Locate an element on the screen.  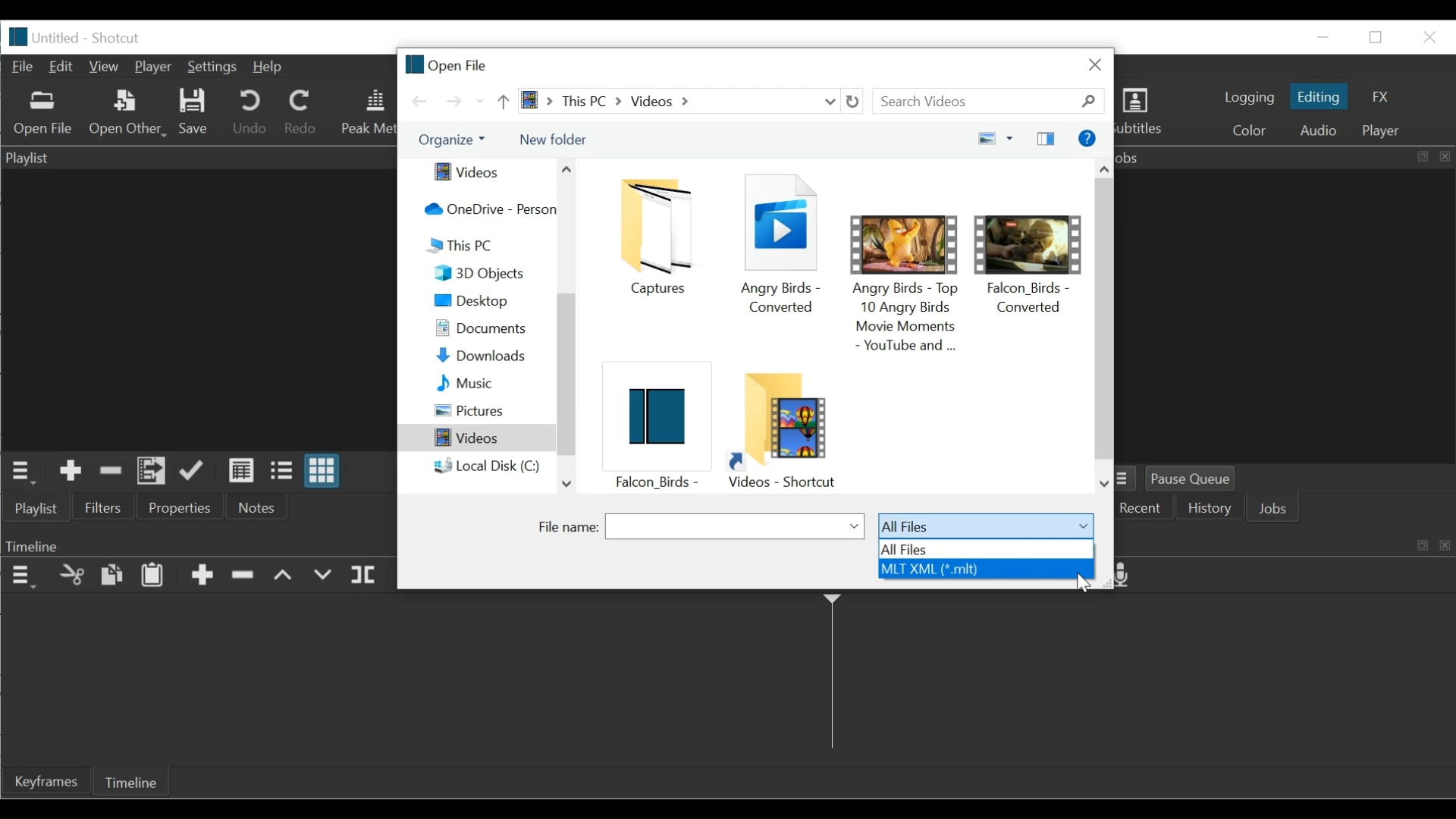
Organize is located at coordinates (450, 140).